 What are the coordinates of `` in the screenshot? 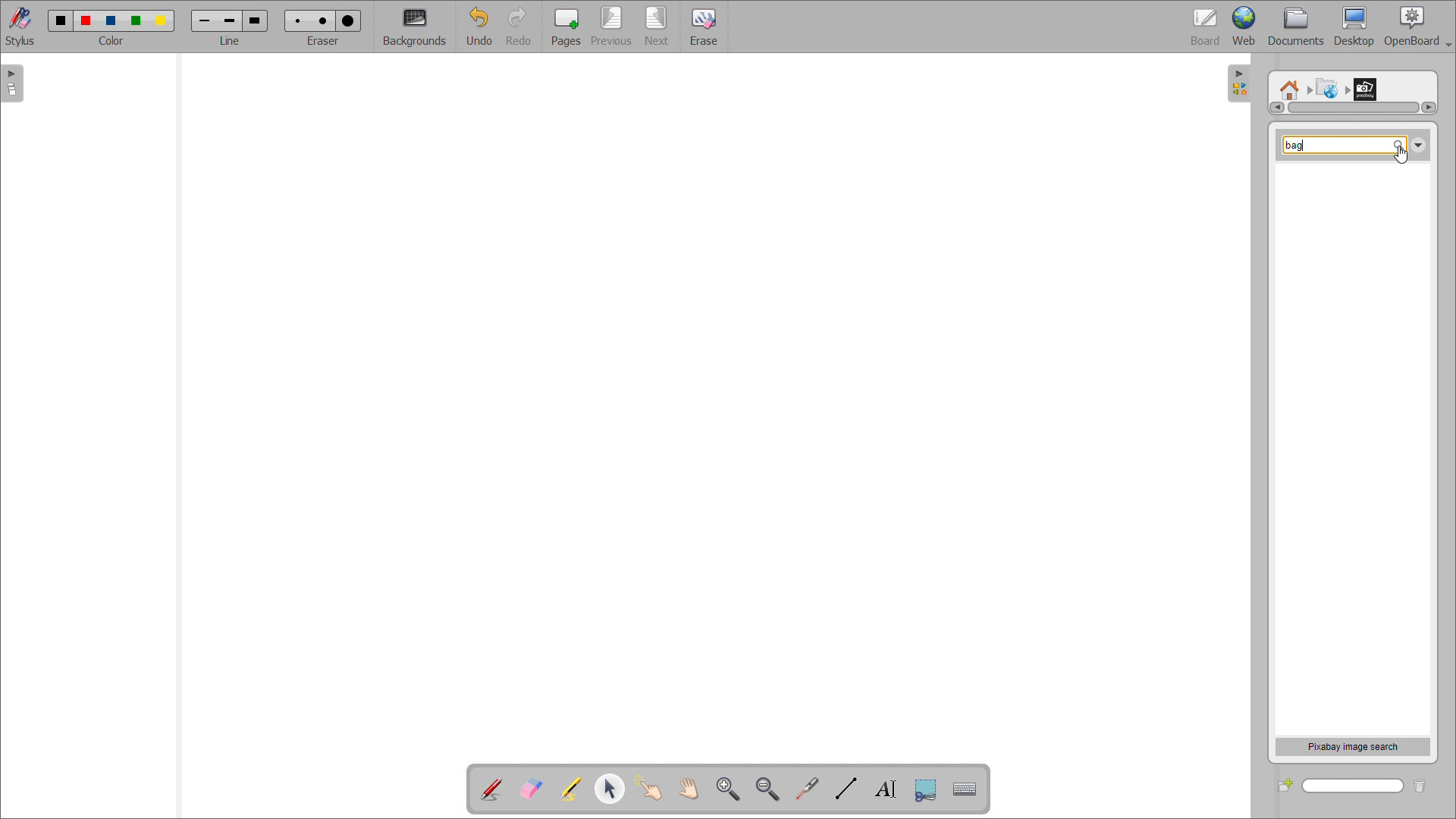 It's located at (925, 790).